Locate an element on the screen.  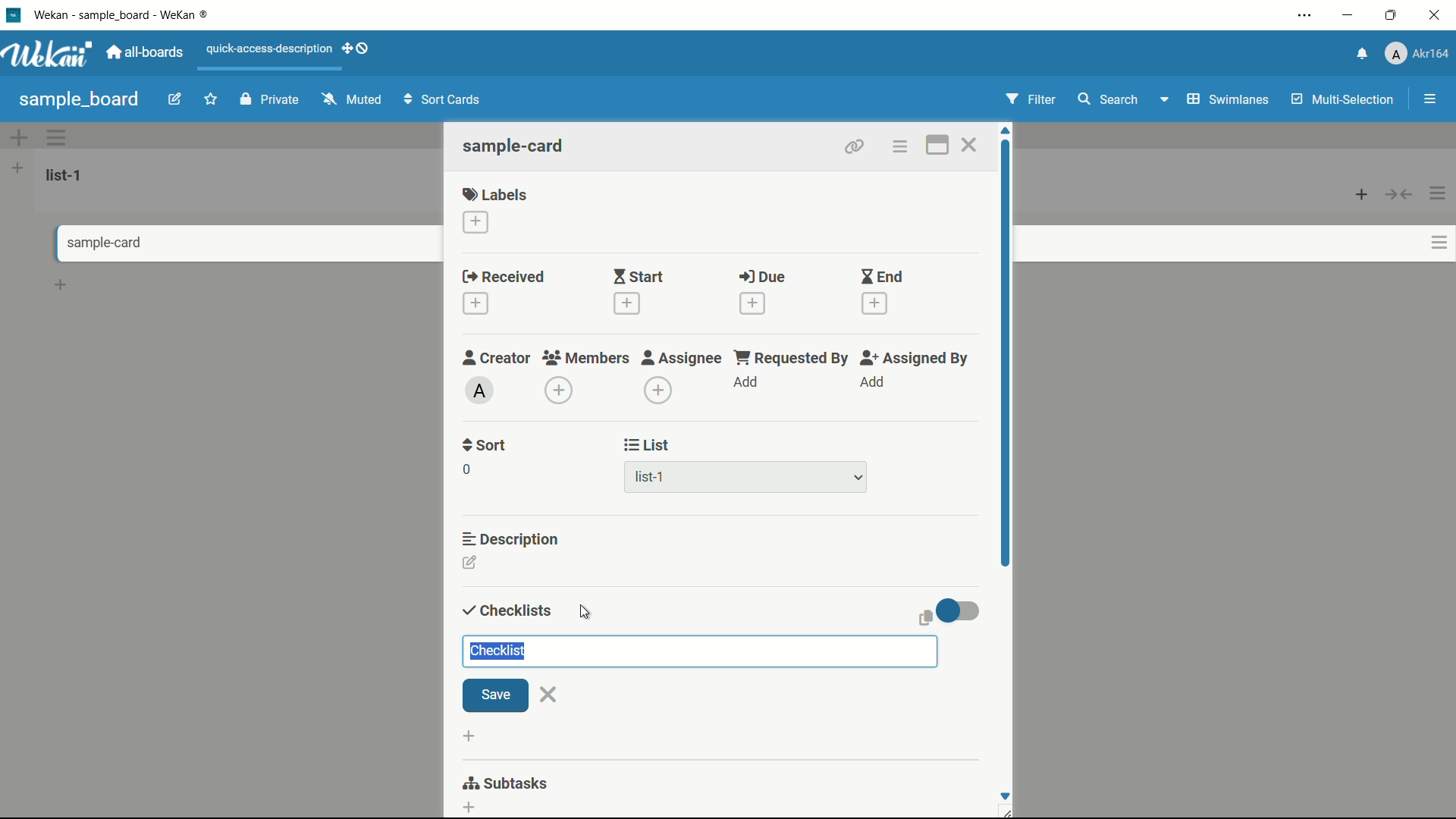
profile is located at coordinates (1417, 55).